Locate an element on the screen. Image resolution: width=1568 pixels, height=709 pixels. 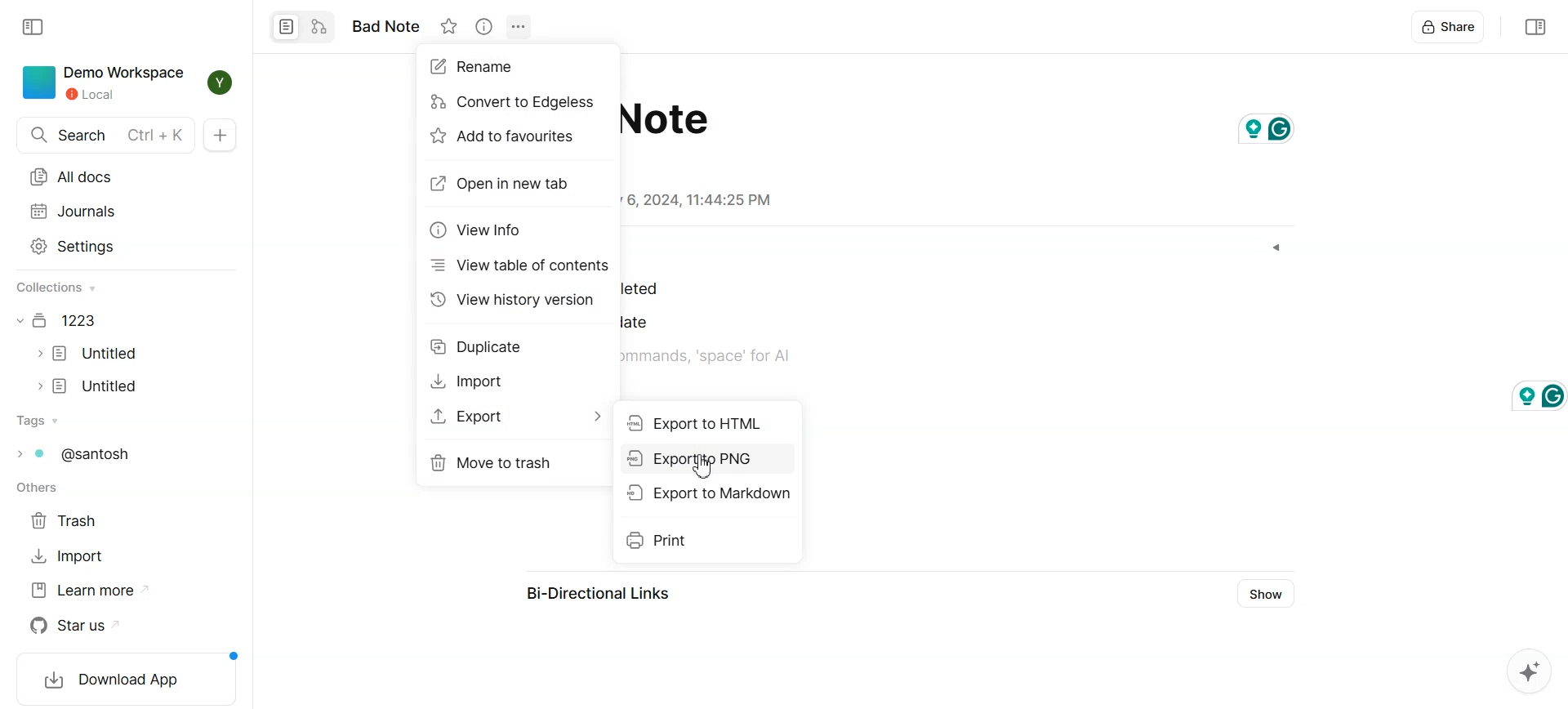
Open in new tab is located at coordinates (511, 185).